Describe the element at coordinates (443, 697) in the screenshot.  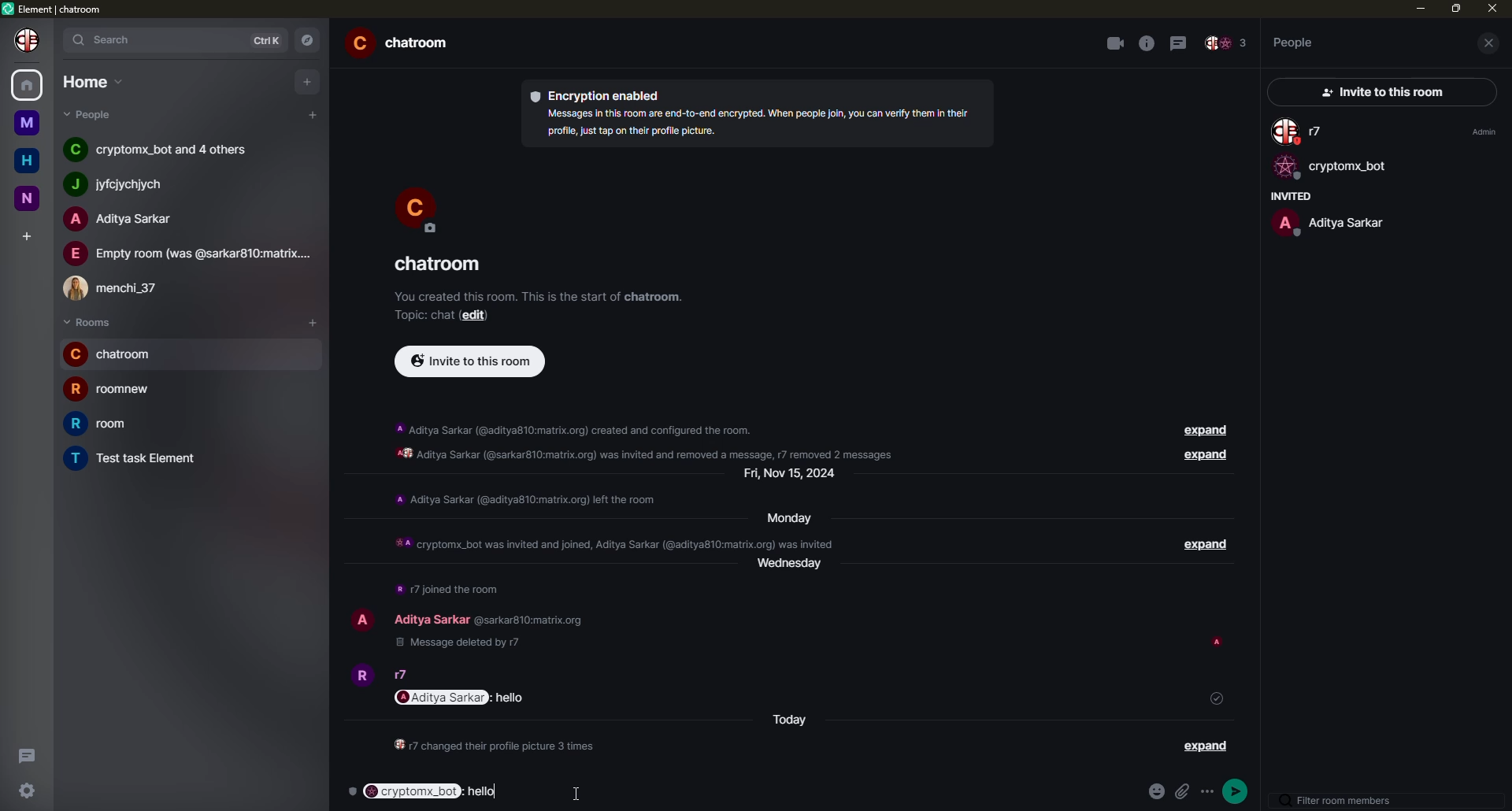
I see `mention` at that location.